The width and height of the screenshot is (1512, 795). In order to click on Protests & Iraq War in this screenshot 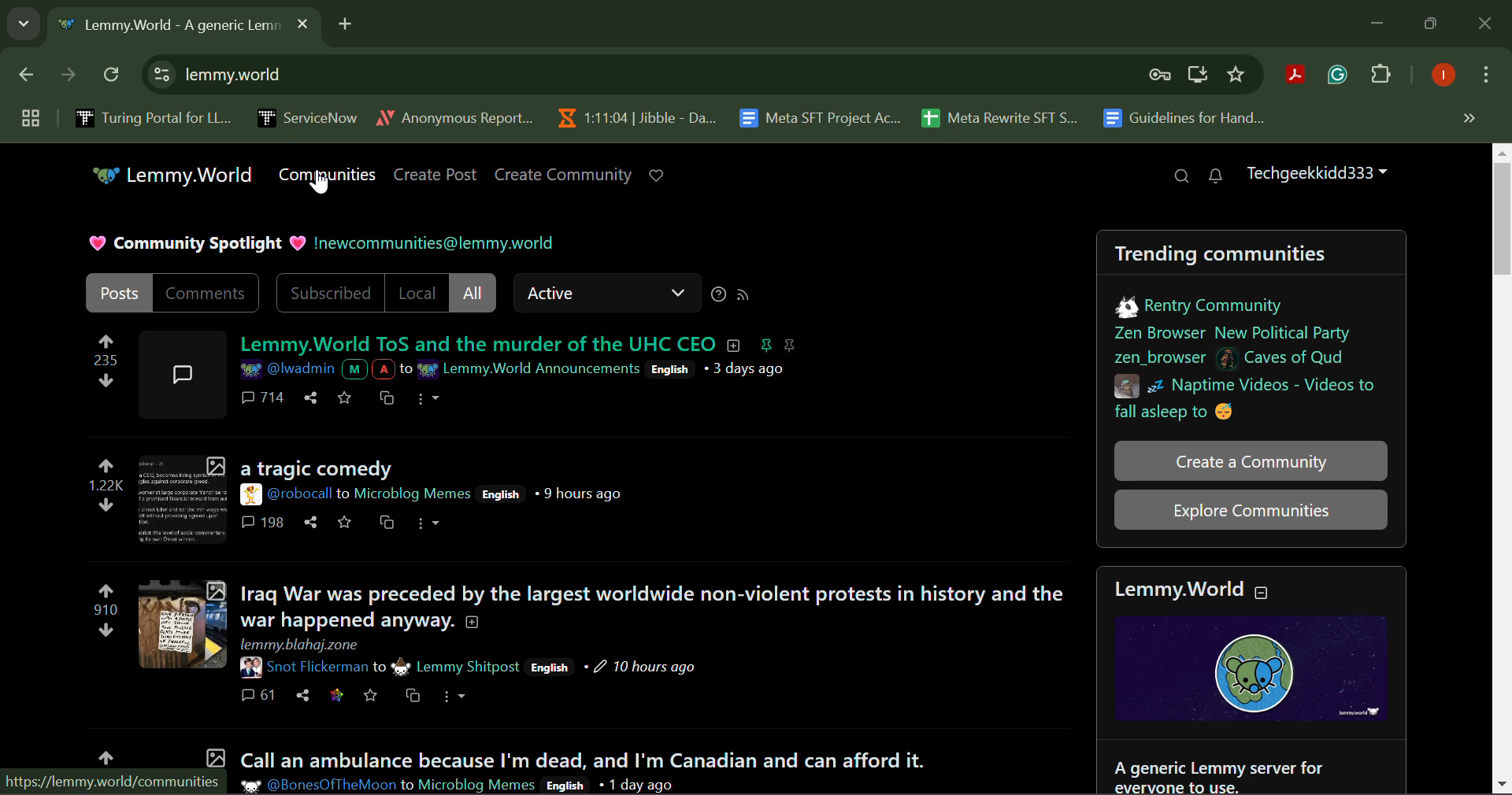, I will do `click(655, 608)`.